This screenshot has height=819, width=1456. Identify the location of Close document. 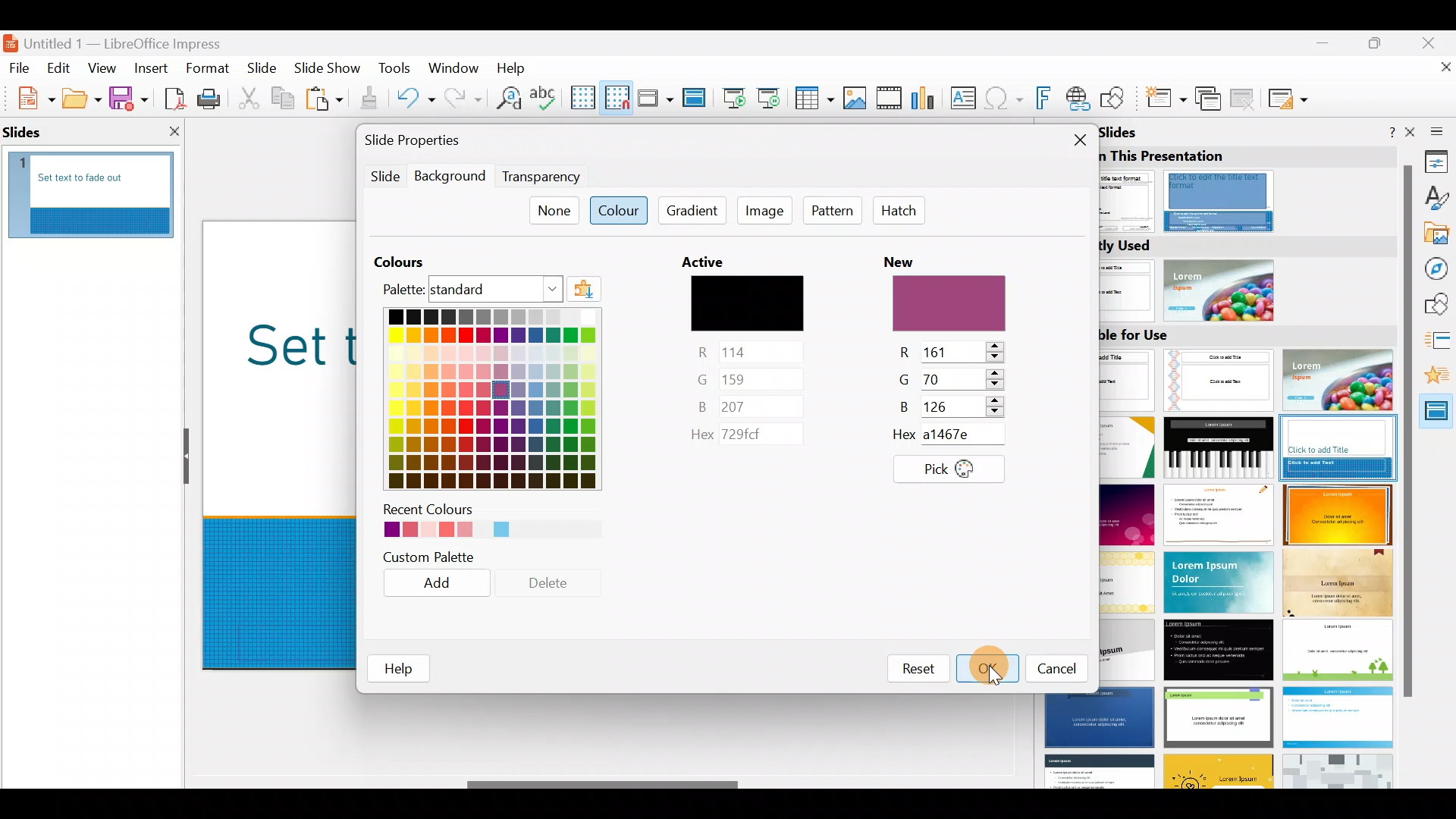
(1437, 74).